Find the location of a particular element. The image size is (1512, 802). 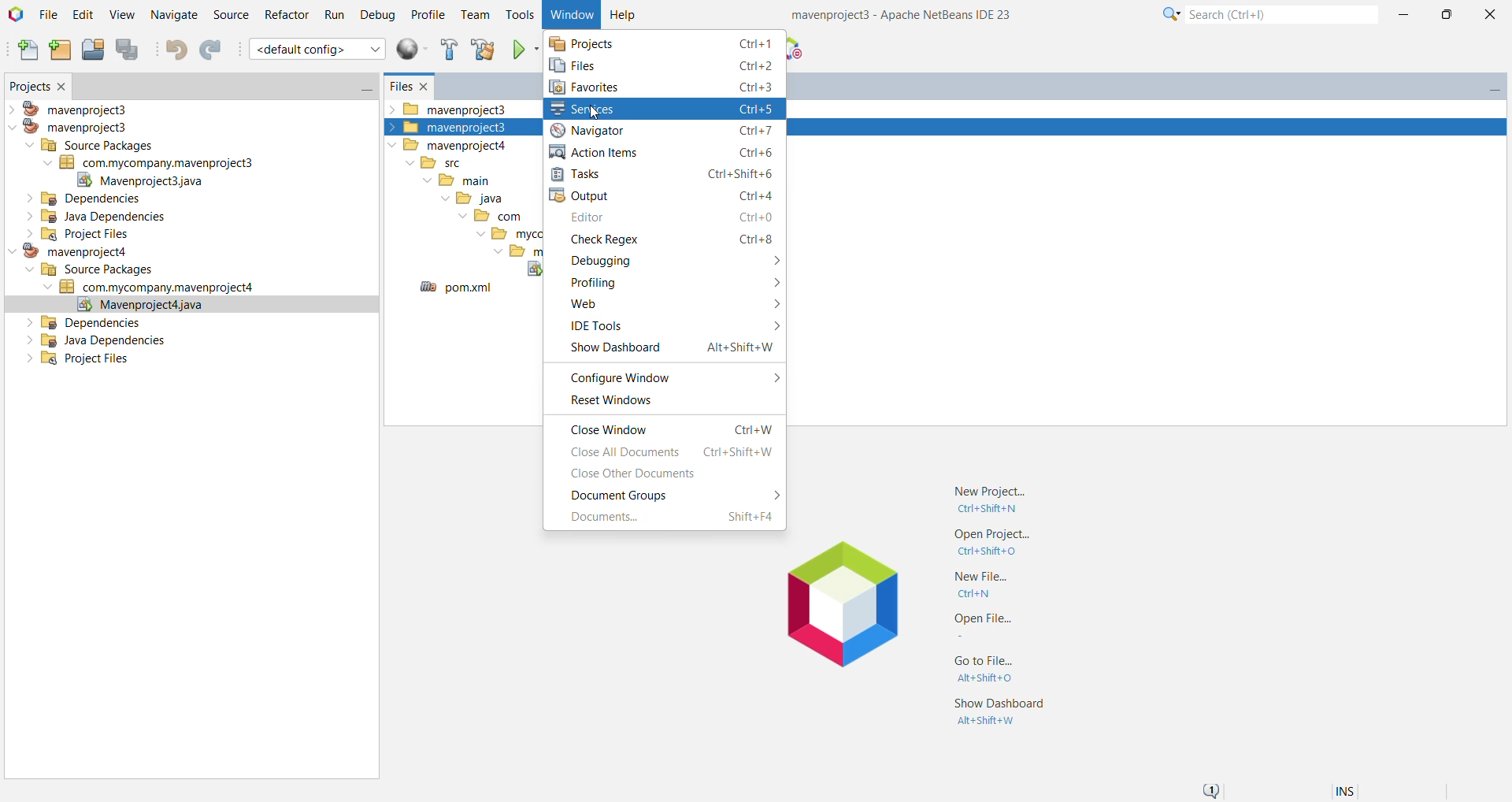

Web is located at coordinates (671, 305).